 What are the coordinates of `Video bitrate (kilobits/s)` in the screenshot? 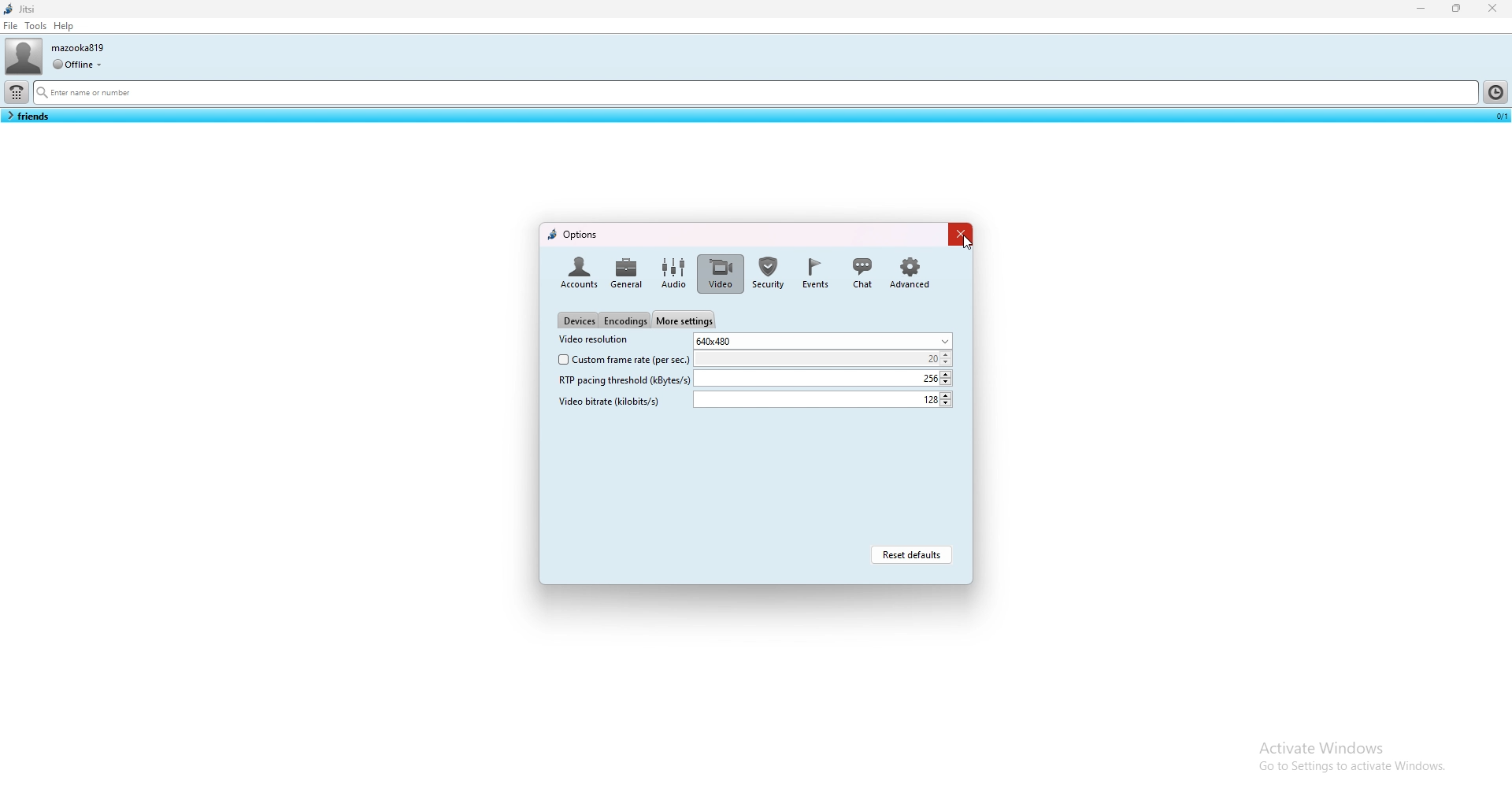 It's located at (609, 402).